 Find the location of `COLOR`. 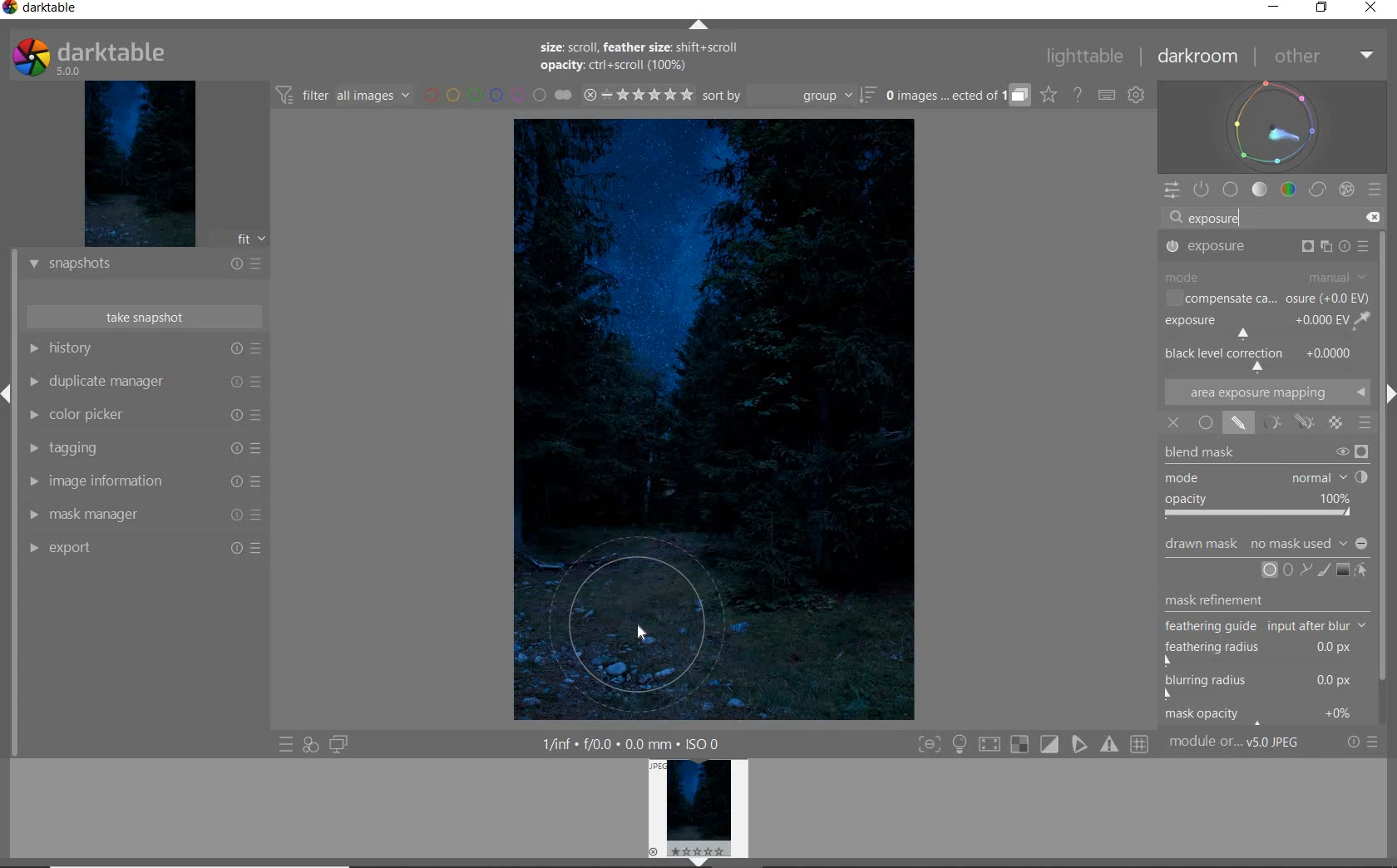

COLOR is located at coordinates (1291, 190).